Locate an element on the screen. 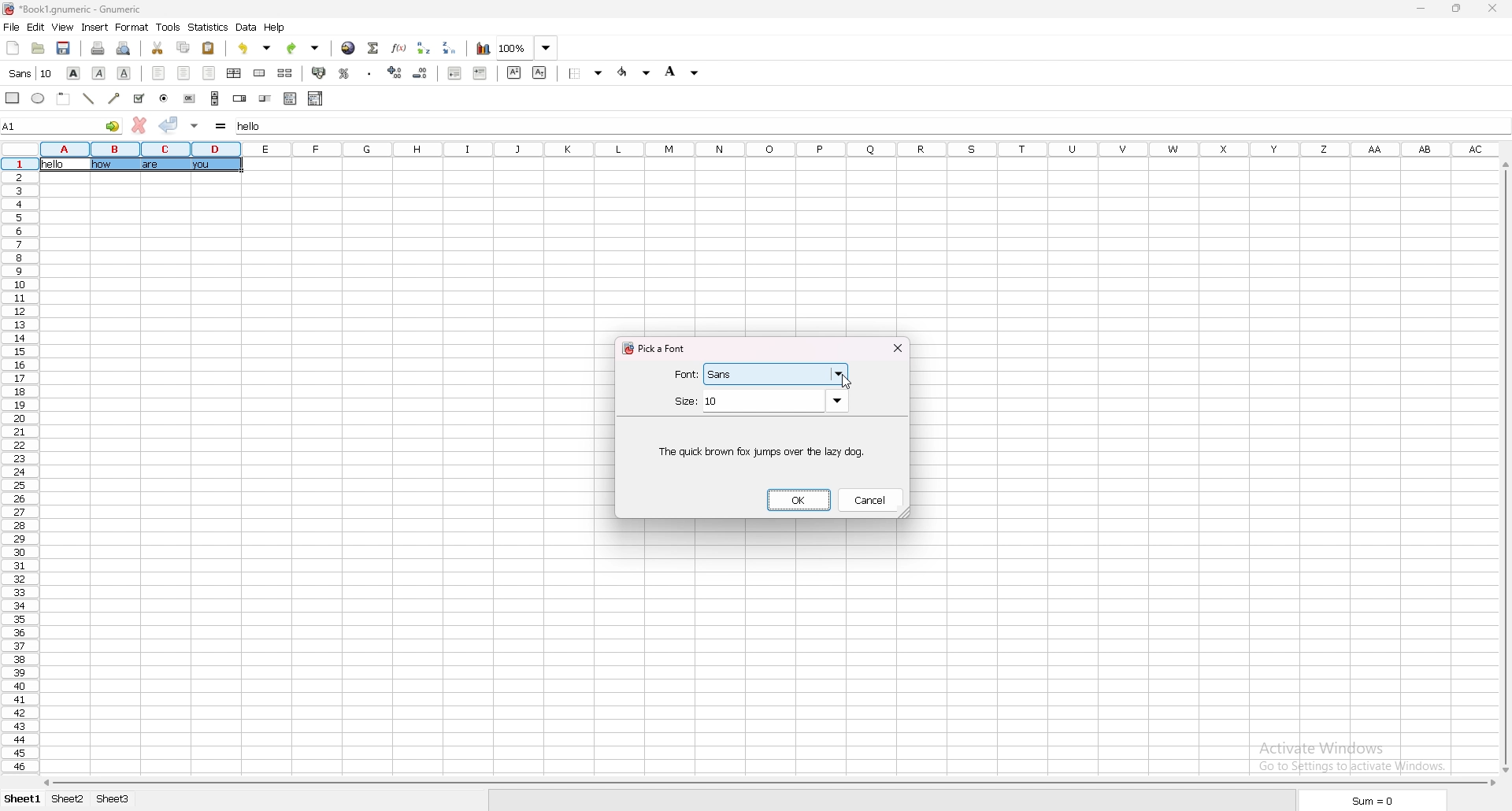 The width and height of the screenshot is (1512, 811). summation is located at coordinates (373, 46).